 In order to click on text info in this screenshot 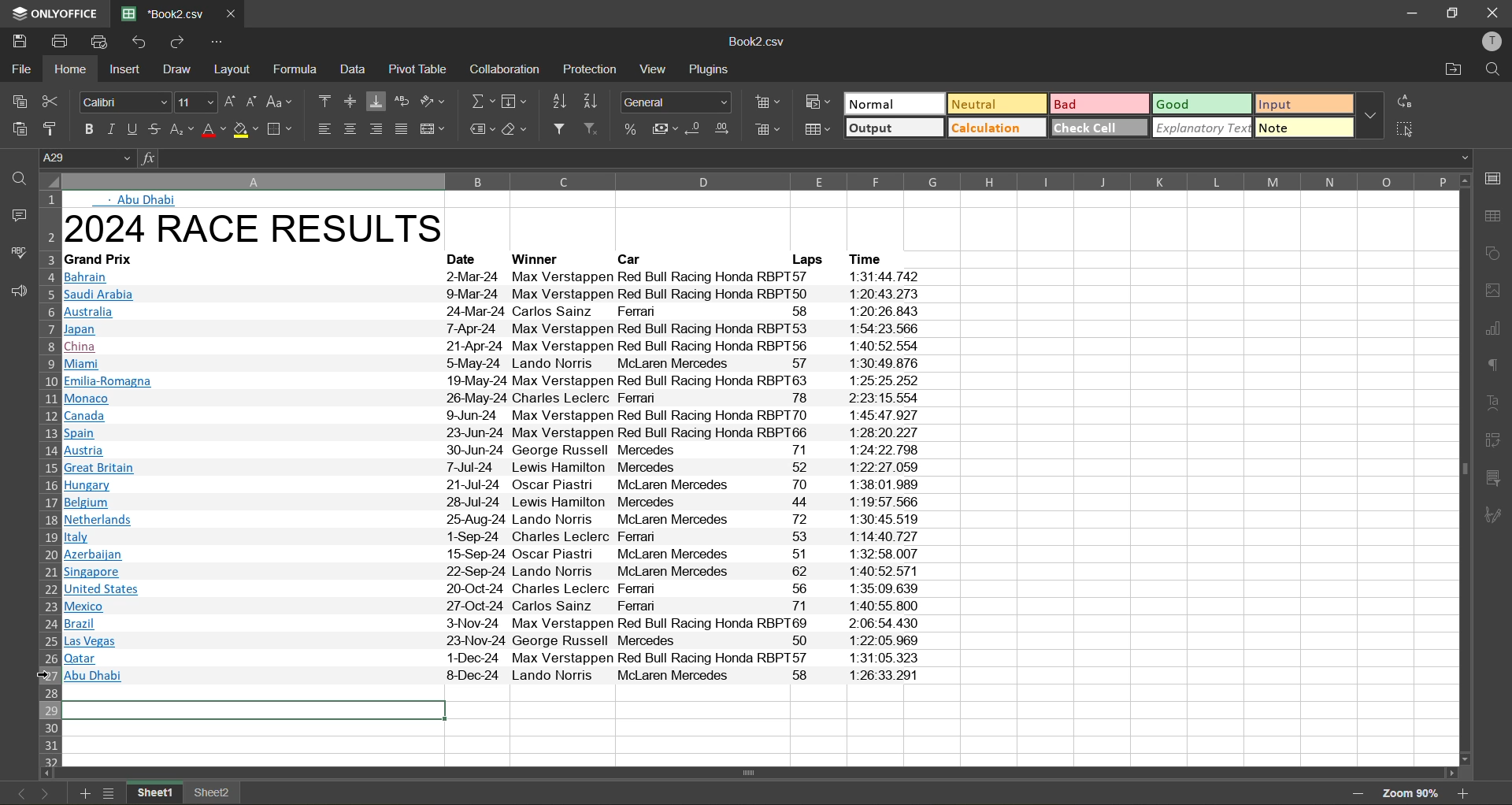, I will do `click(493, 295)`.